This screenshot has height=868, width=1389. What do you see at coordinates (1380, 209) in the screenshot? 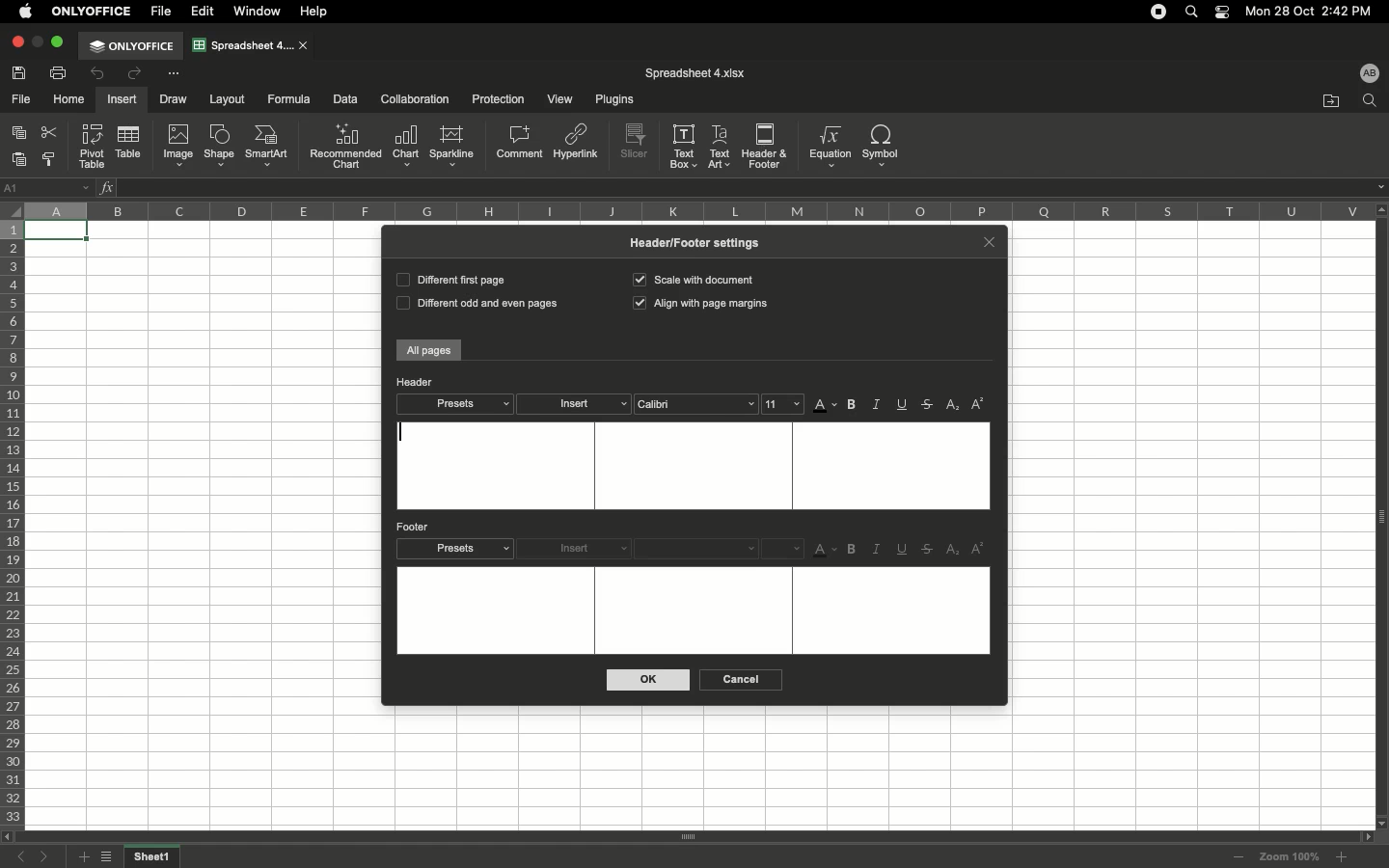
I see `scroll up` at bounding box center [1380, 209].